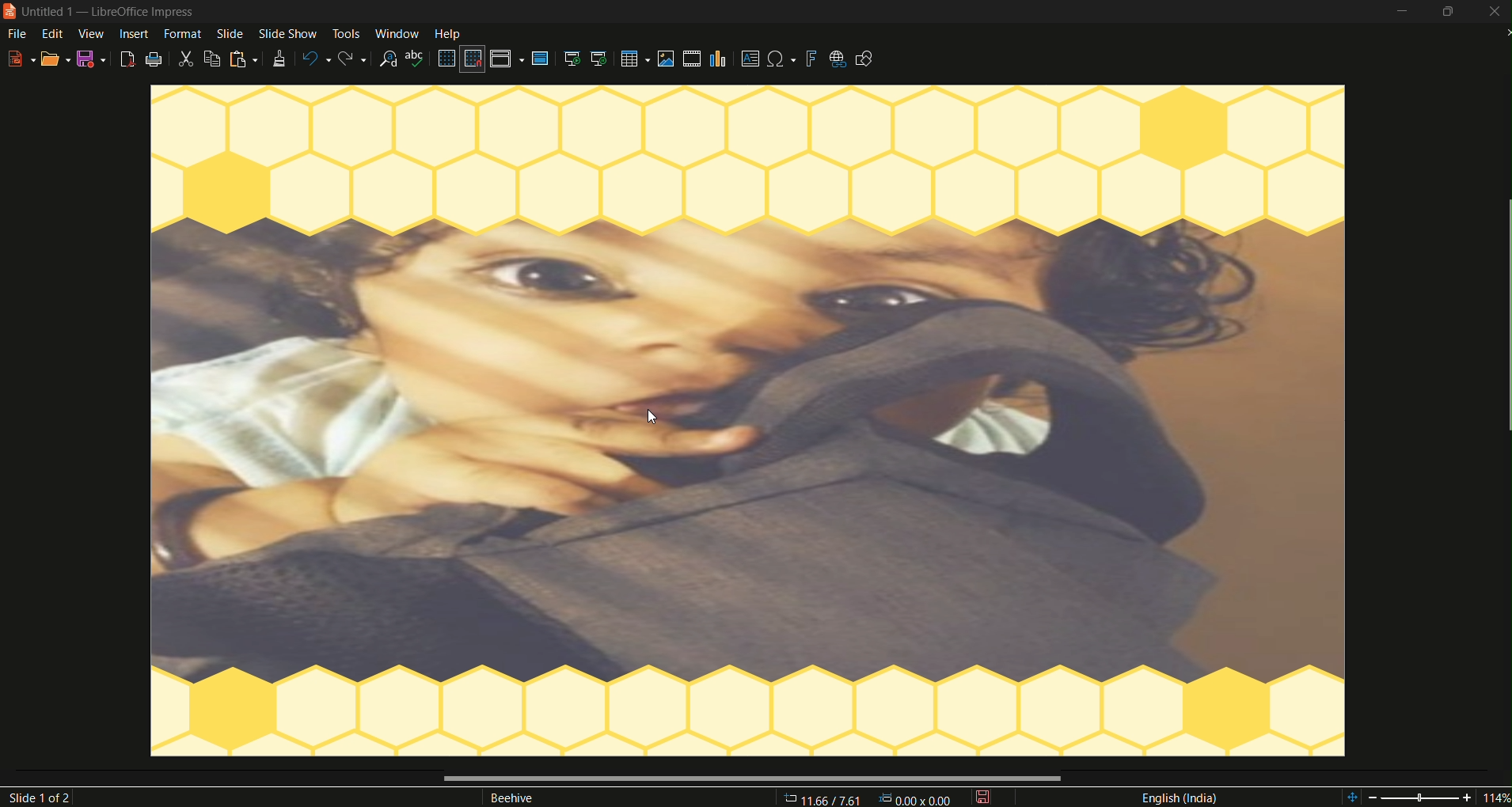 The image size is (1512, 807). I want to click on slide, so click(230, 33).